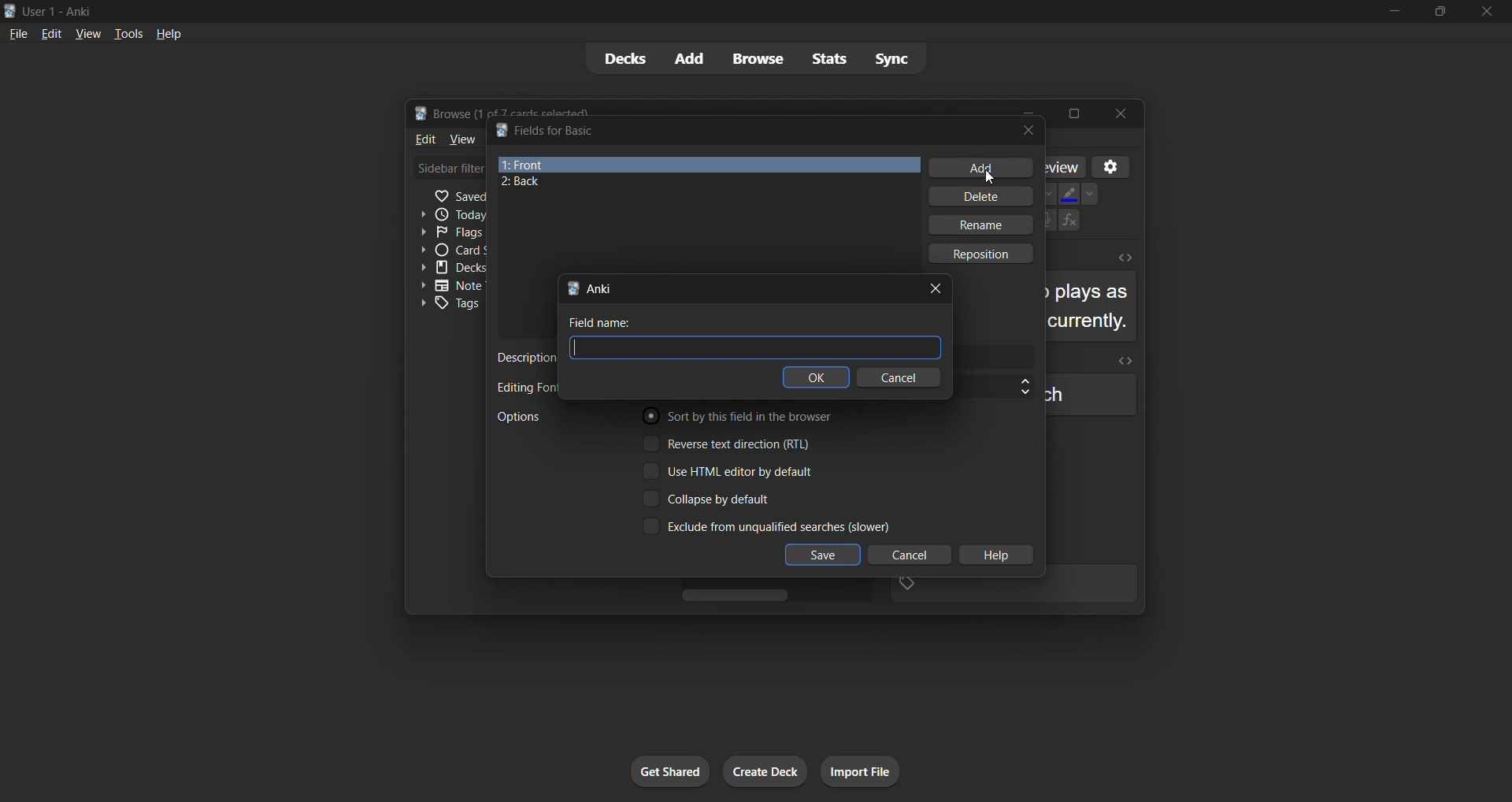 Image resolution: width=1512 pixels, height=802 pixels. What do you see at coordinates (823, 555) in the screenshot?
I see `save` at bounding box center [823, 555].